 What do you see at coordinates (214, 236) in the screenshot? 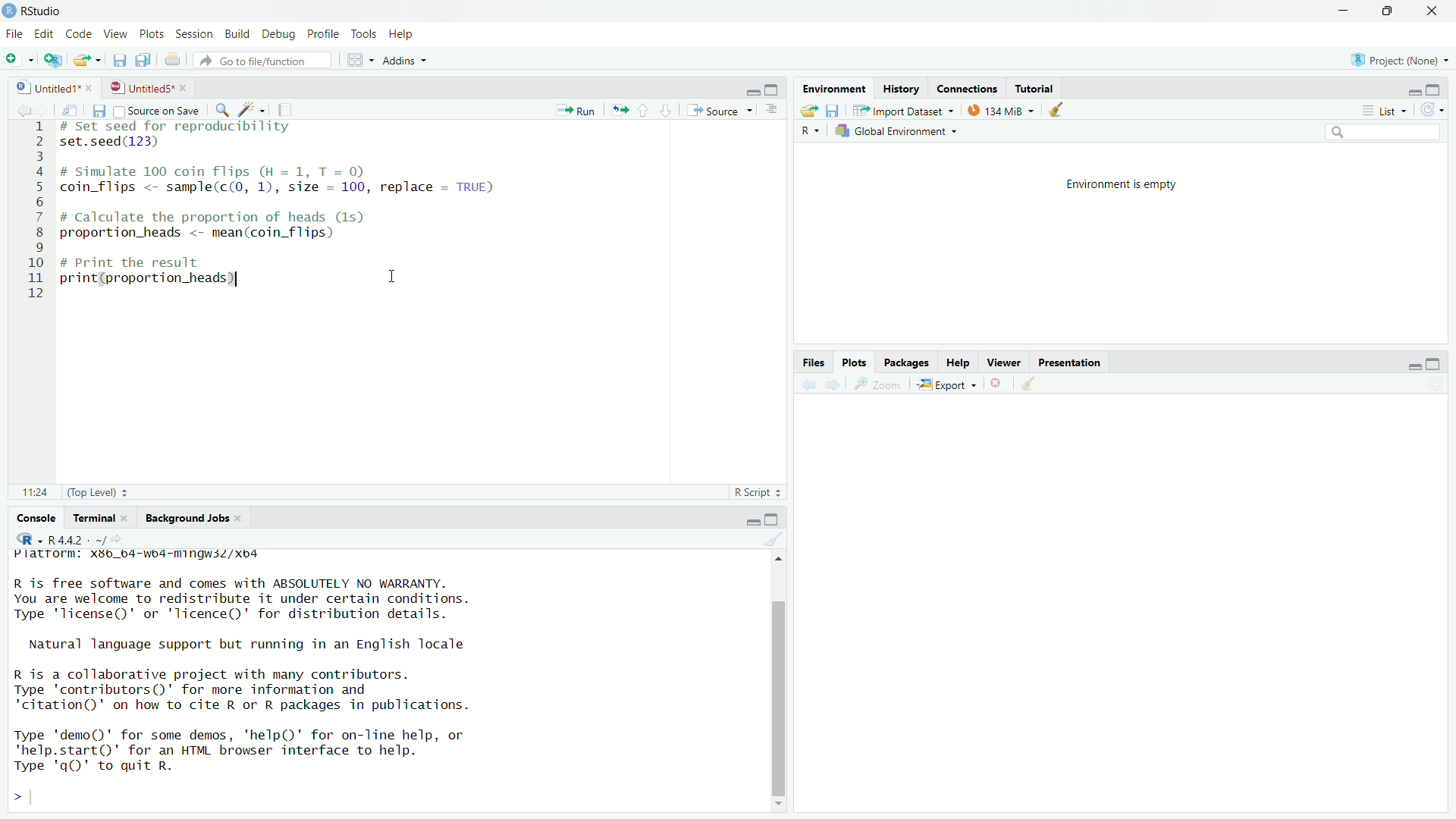
I see `proportion_heads <- mean(coin_t1ips)` at bounding box center [214, 236].